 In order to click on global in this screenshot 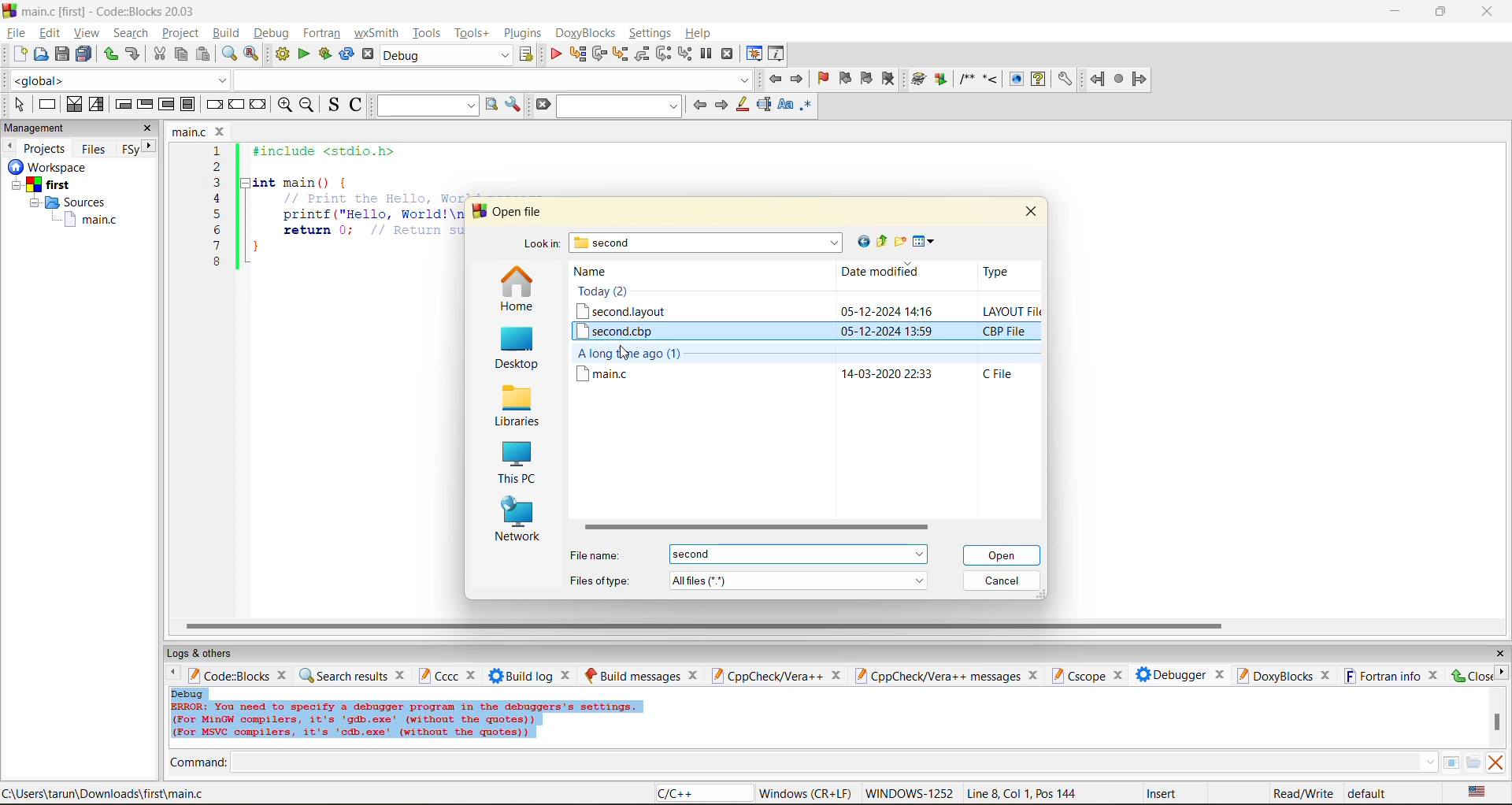, I will do `click(117, 80)`.